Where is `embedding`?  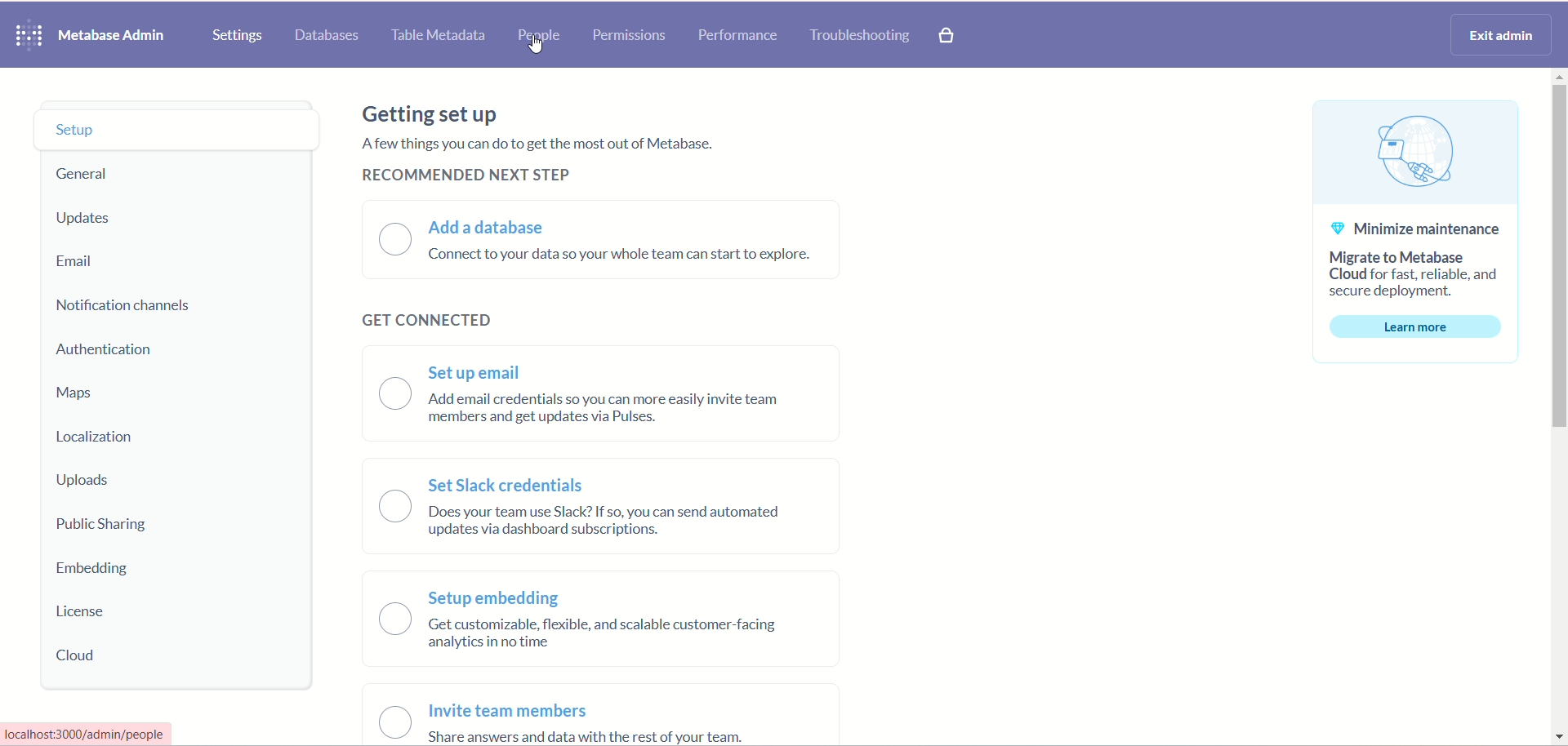
embedding is located at coordinates (96, 572).